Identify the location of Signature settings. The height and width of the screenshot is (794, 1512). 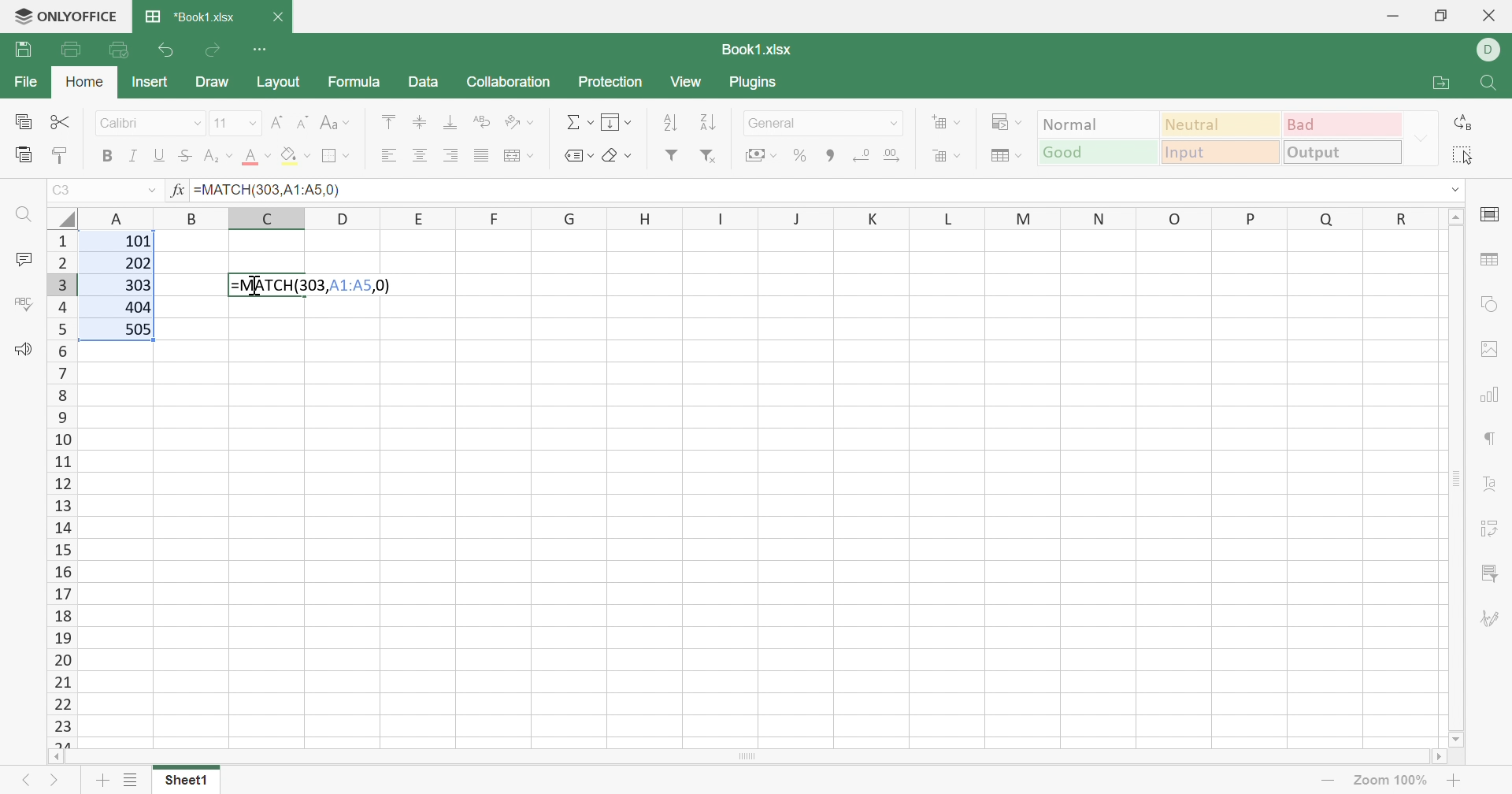
(1495, 617).